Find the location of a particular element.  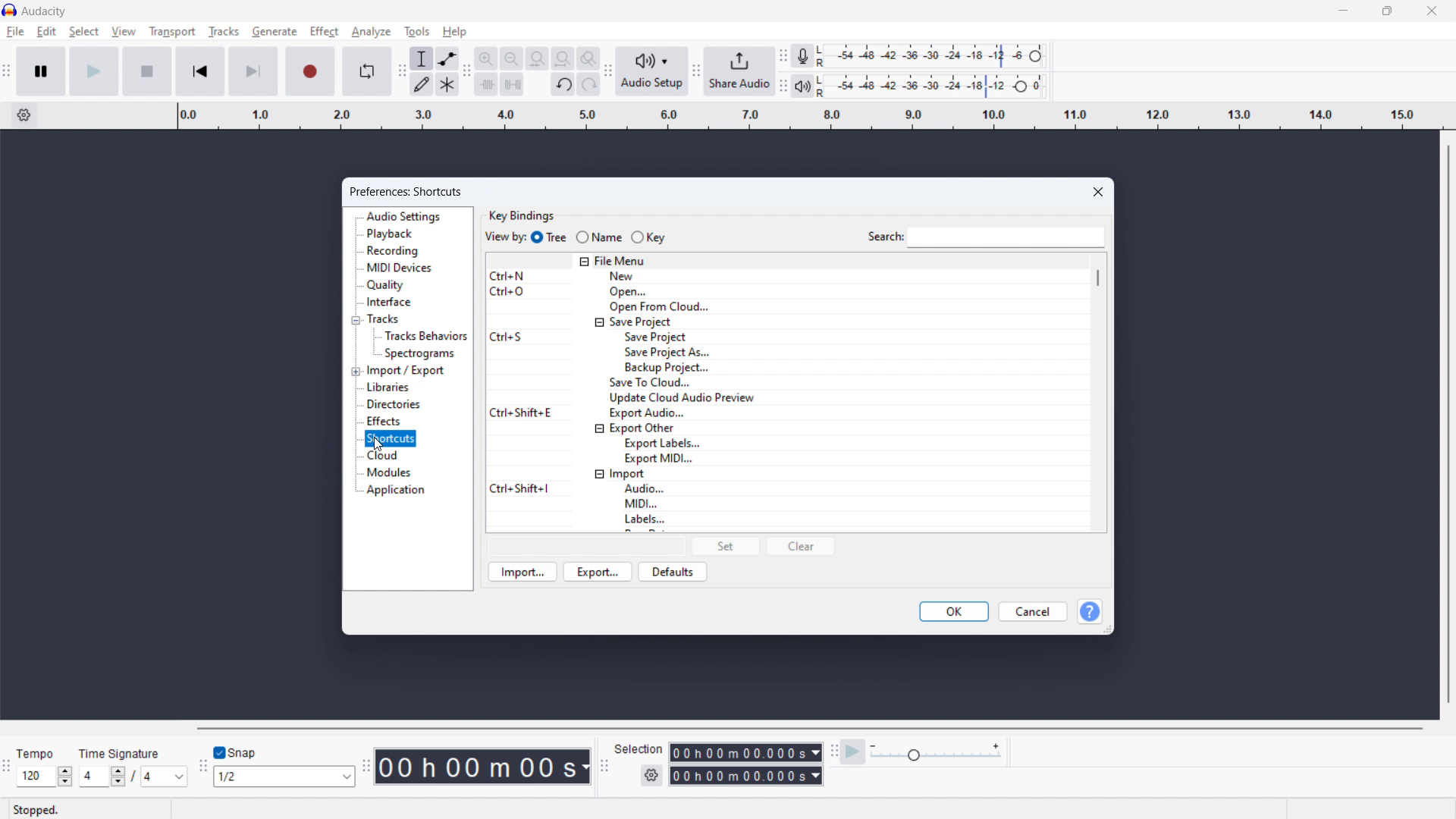

timestamp is located at coordinates (475, 767).